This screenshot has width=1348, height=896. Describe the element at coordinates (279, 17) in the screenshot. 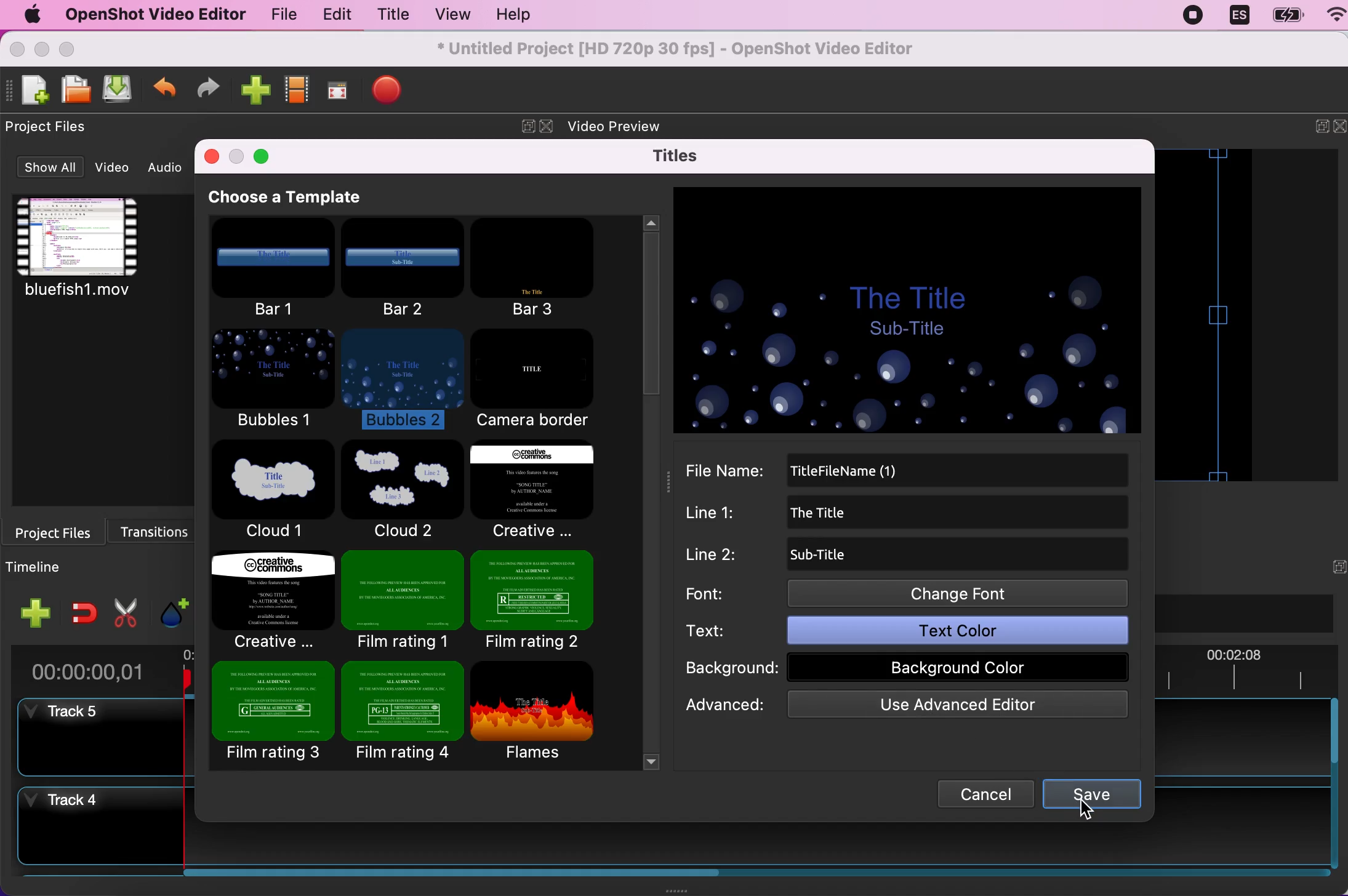

I see `file` at that location.